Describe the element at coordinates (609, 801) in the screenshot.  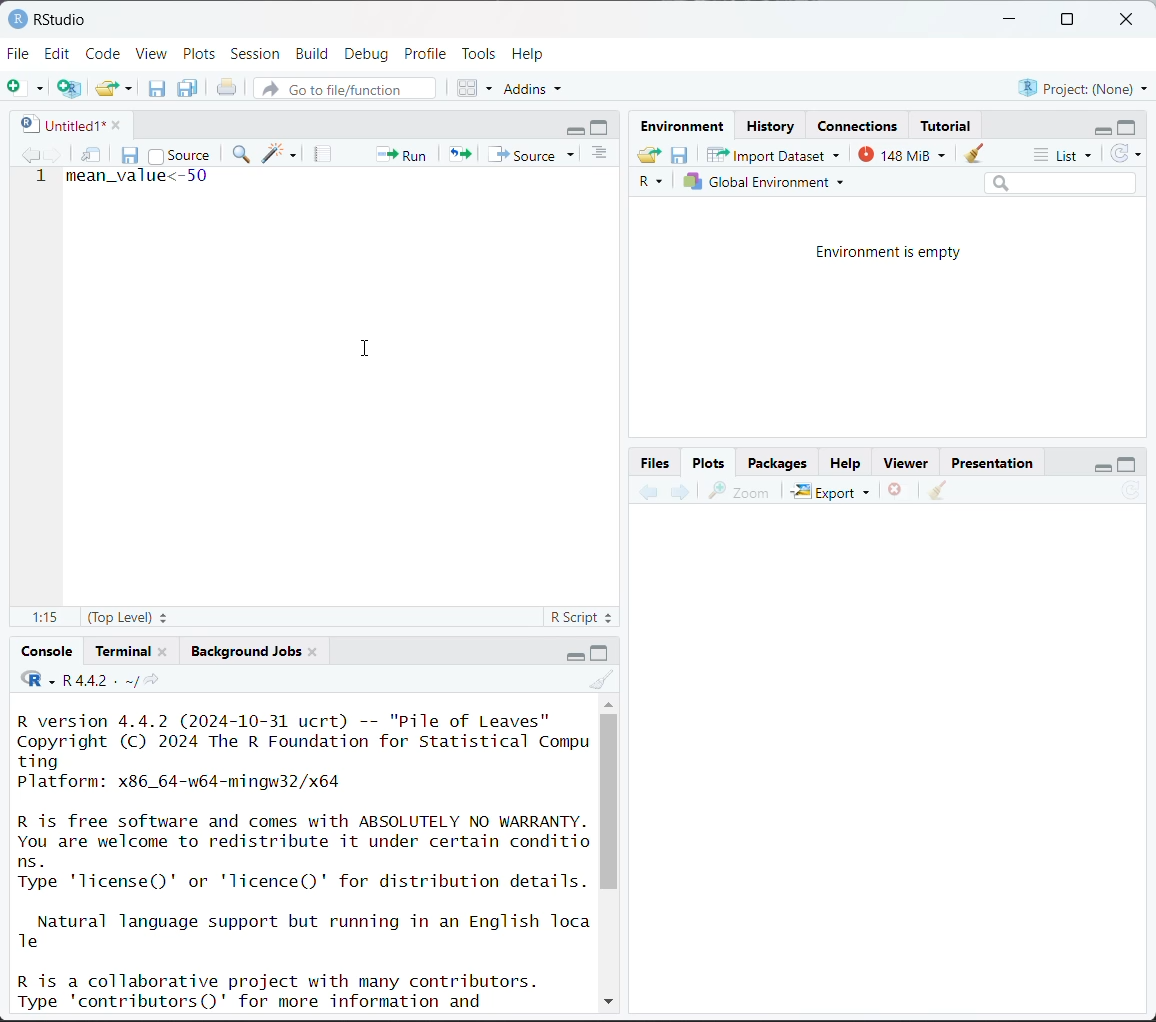
I see `vertical scroll bar` at that location.